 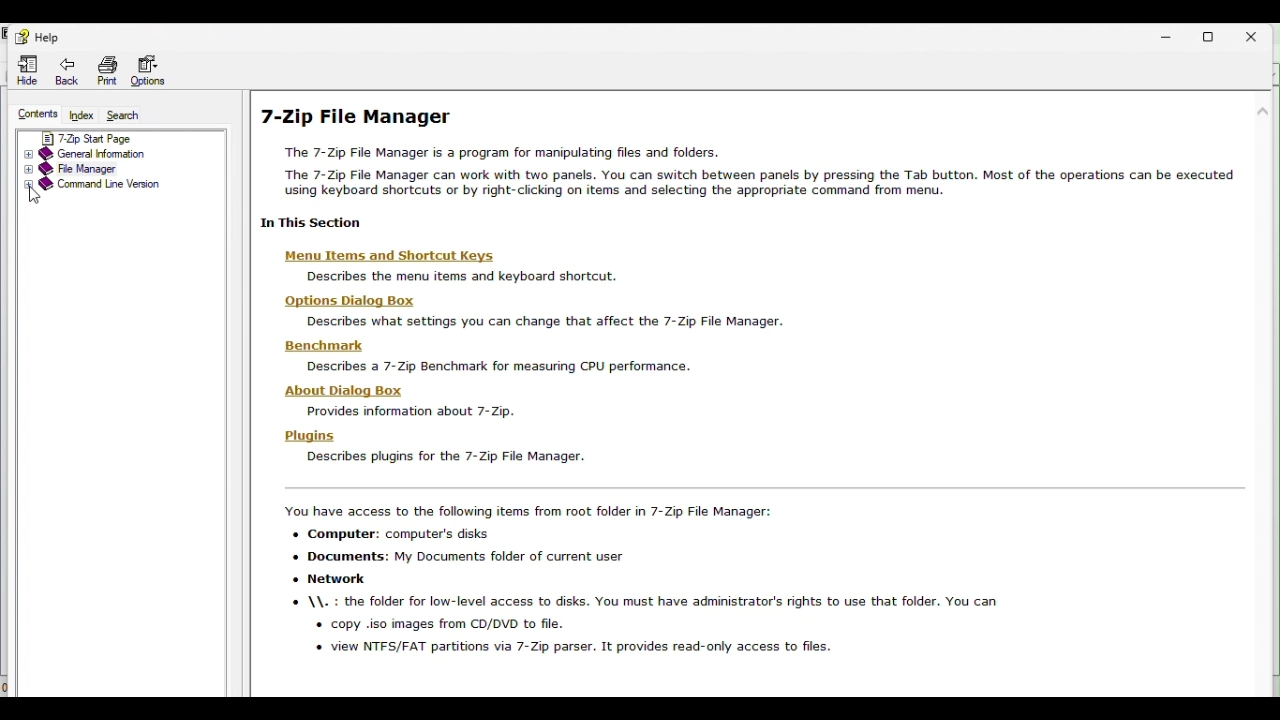 What do you see at coordinates (147, 72) in the screenshot?
I see `Option` at bounding box center [147, 72].